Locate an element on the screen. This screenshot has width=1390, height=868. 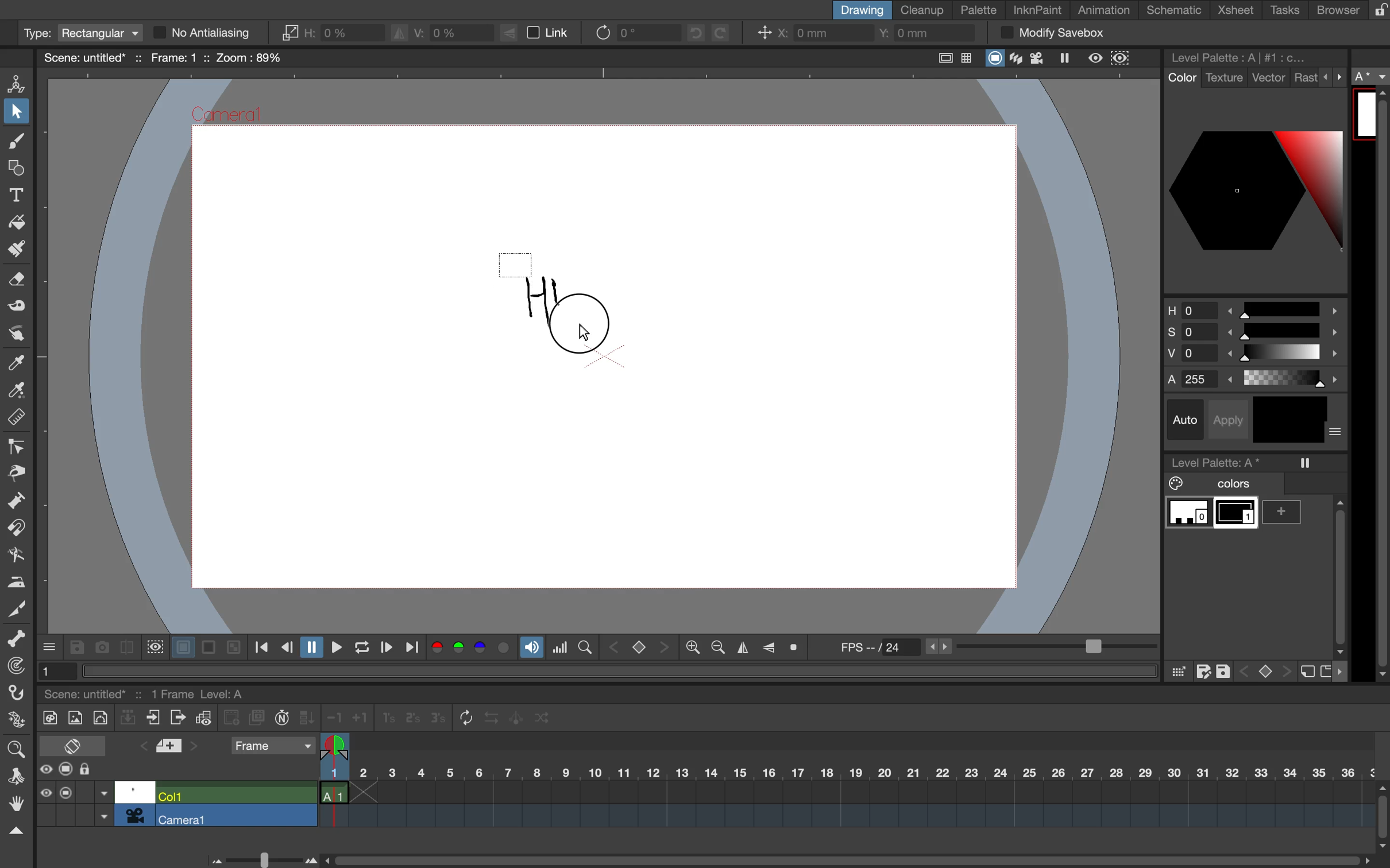
camera is located at coordinates (135, 815).